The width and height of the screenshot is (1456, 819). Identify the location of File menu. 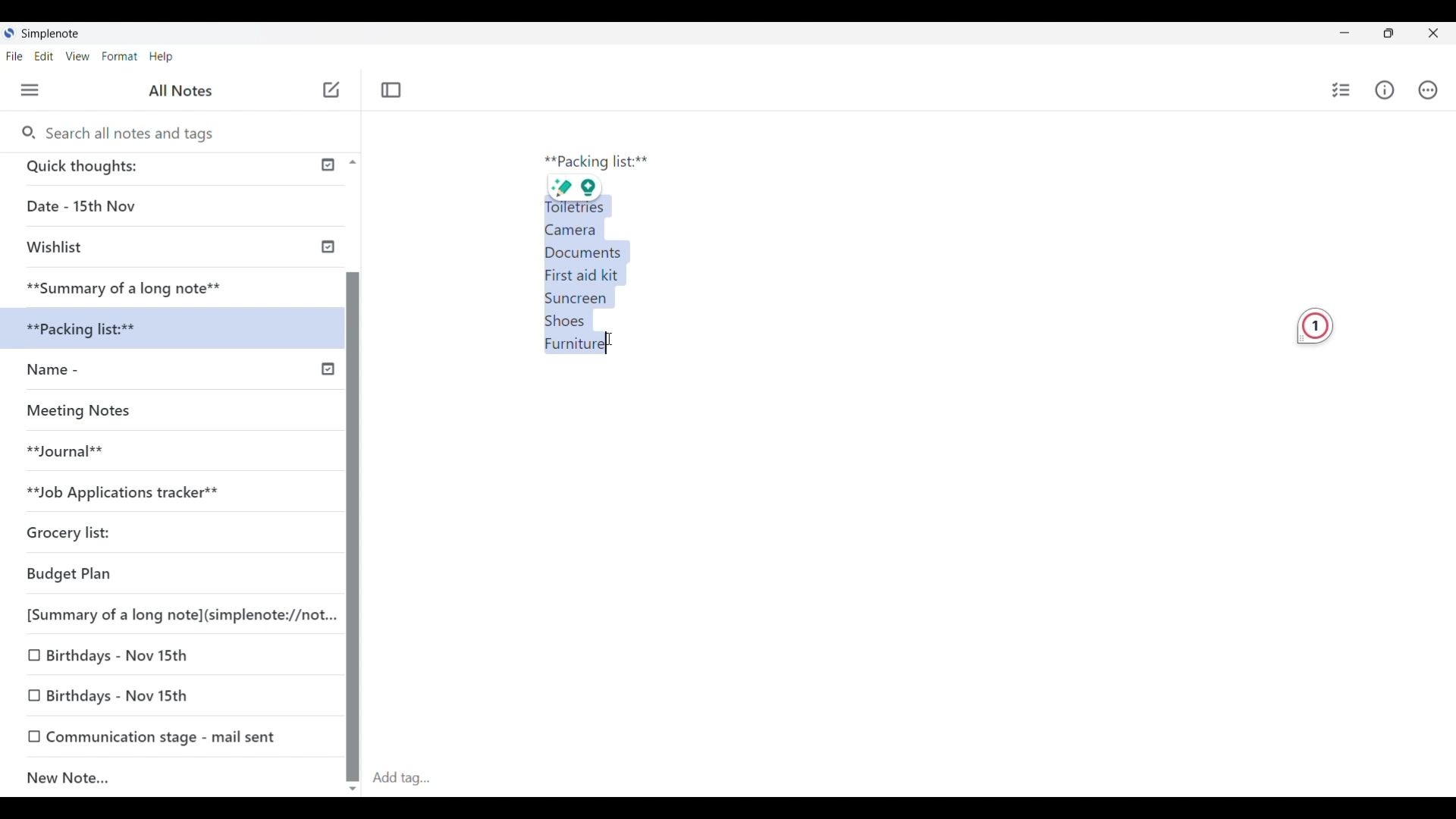
(14, 56).